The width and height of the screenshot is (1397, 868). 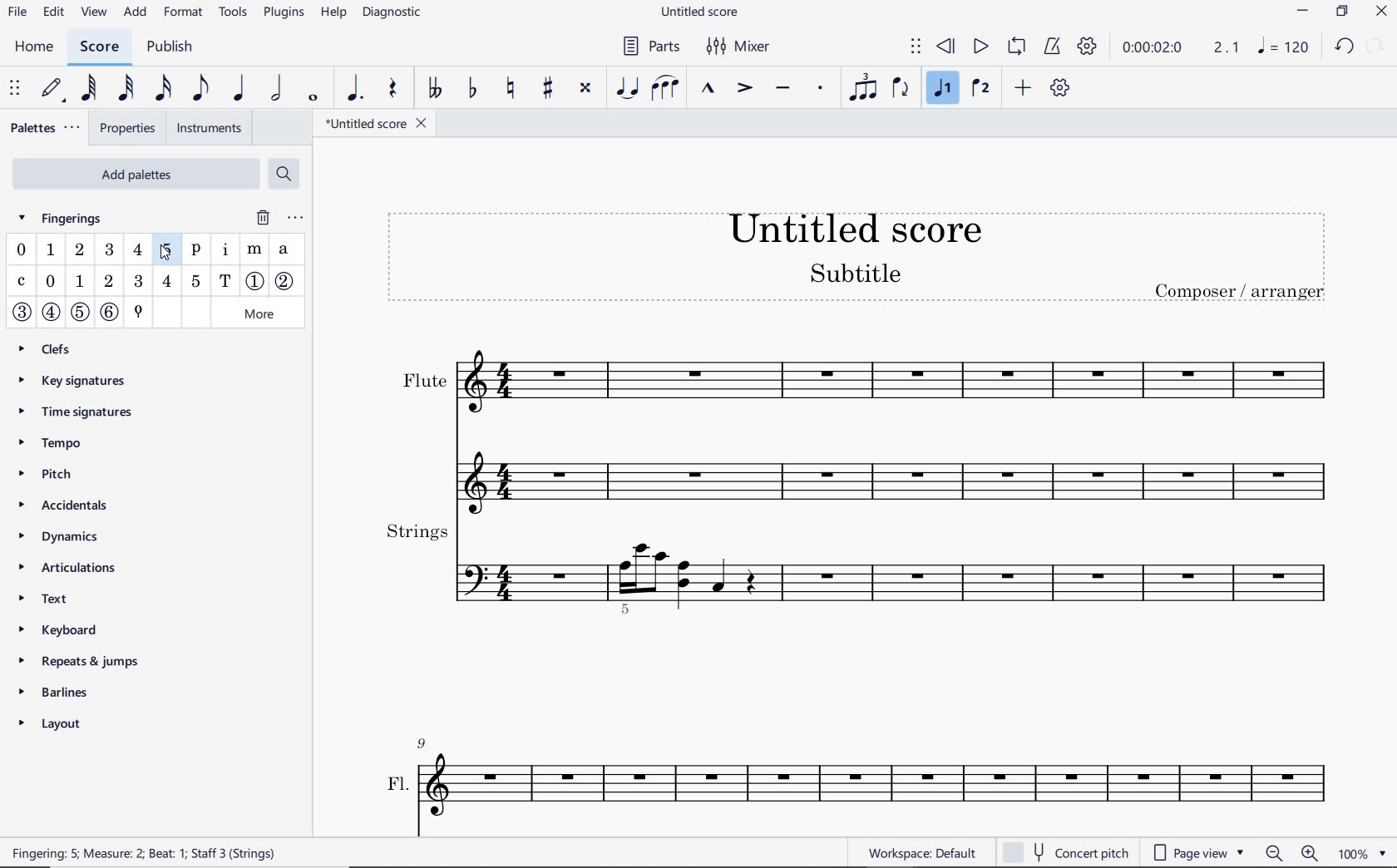 What do you see at coordinates (81, 250) in the screenshot?
I see `fingering 2` at bounding box center [81, 250].